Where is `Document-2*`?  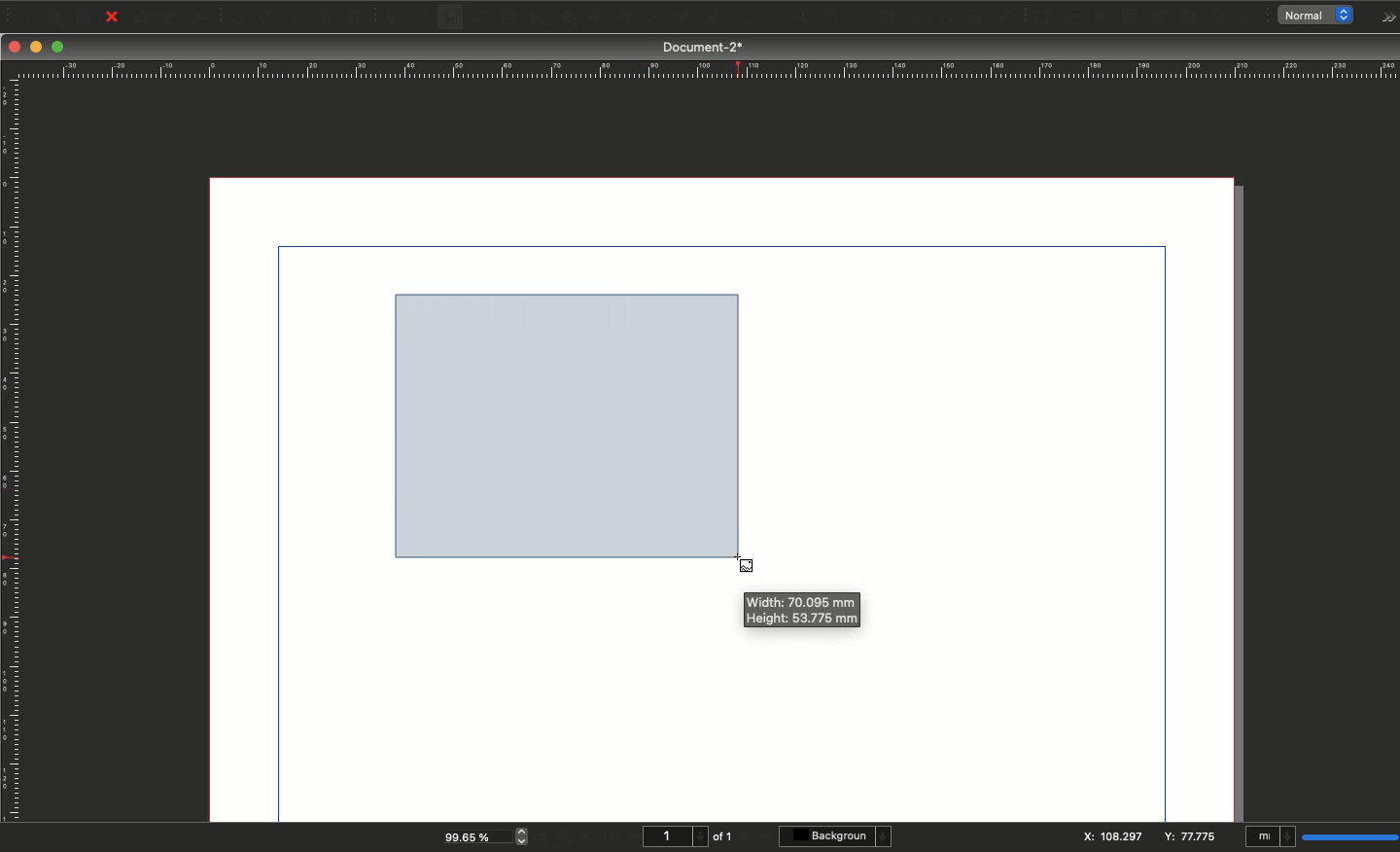
Document-2* is located at coordinates (705, 47).